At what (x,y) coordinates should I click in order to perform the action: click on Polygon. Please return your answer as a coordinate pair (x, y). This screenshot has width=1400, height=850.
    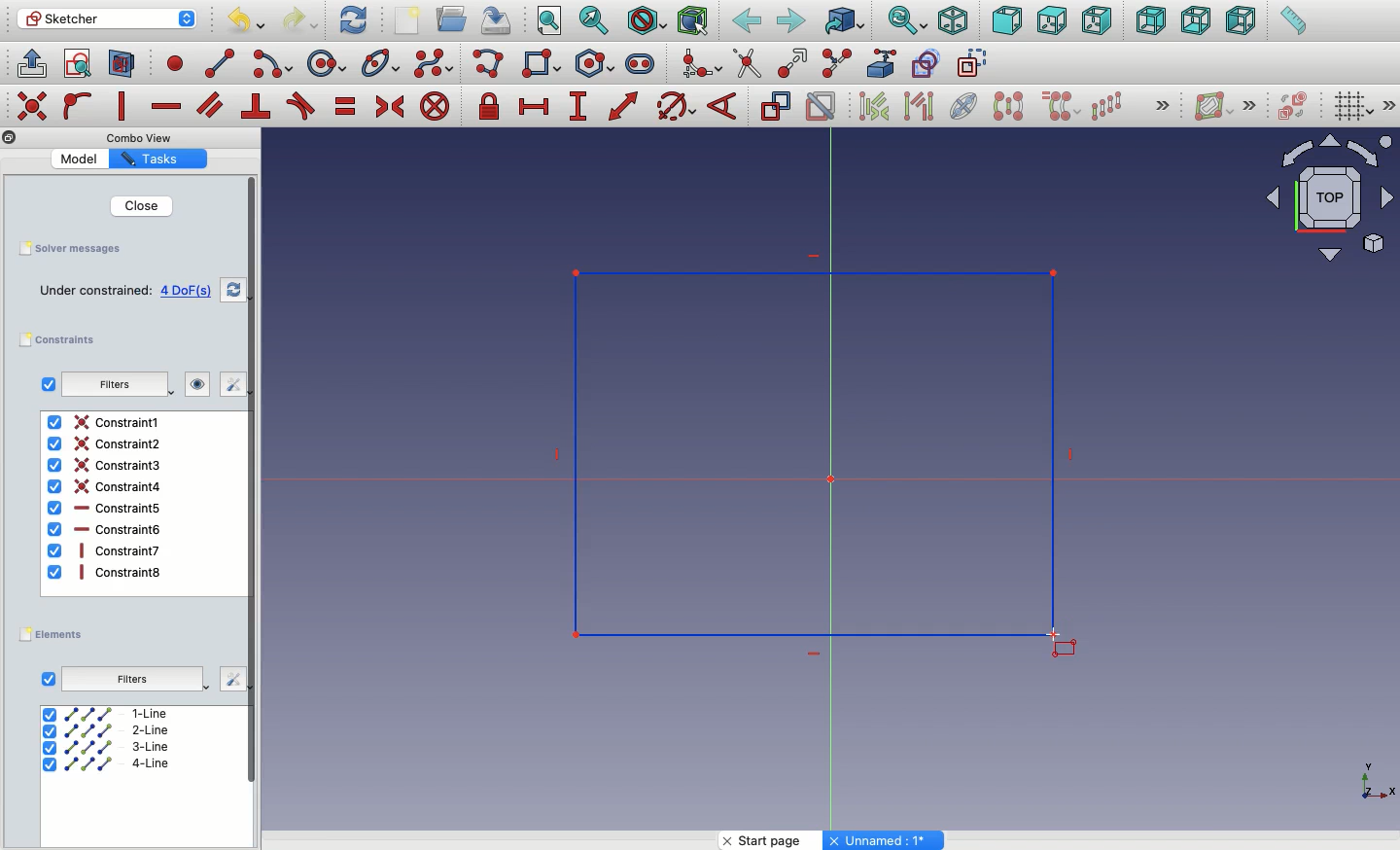
    Looking at the image, I should click on (598, 64).